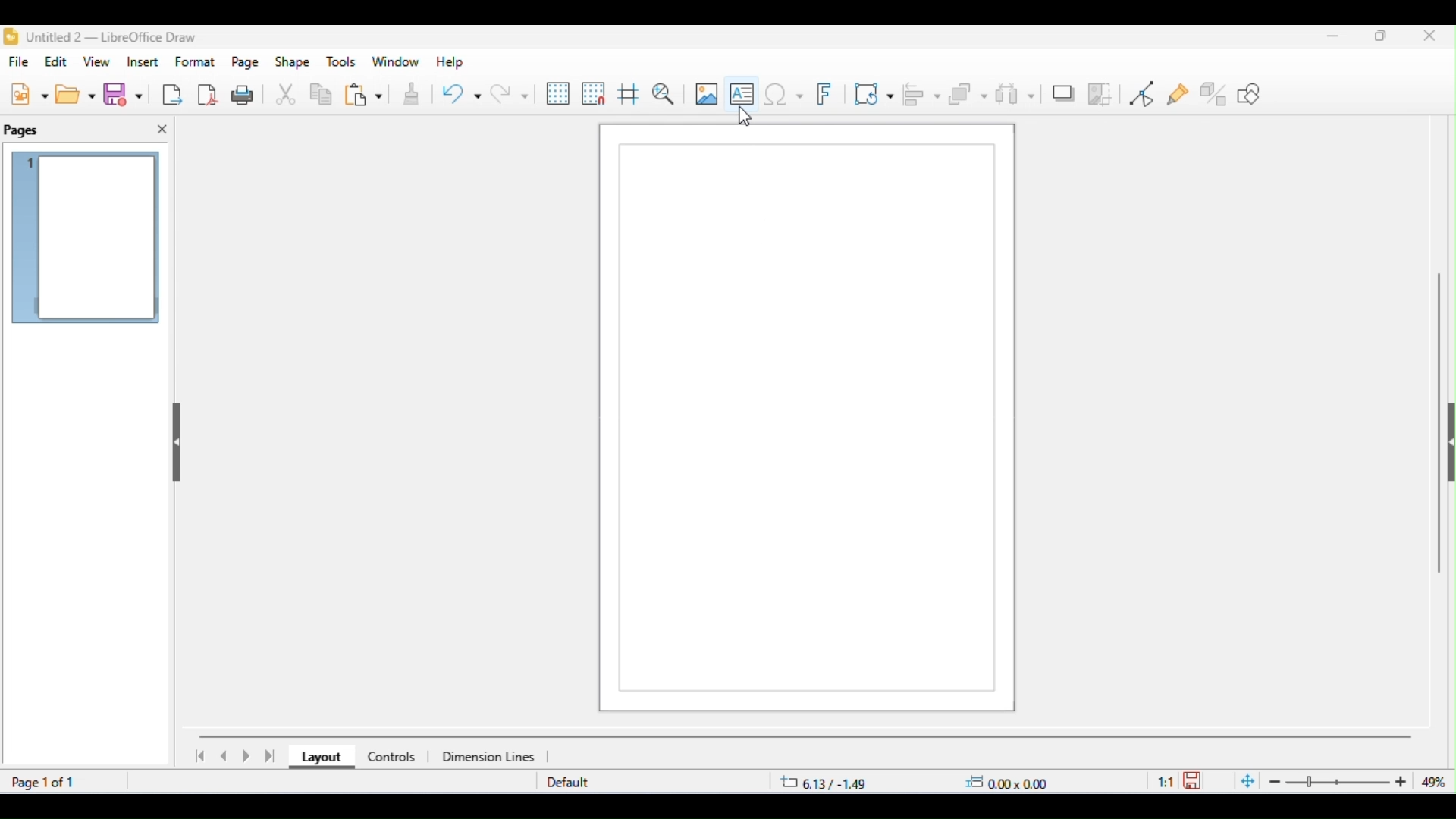 The image size is (1456, 819). What do you see at coordinates (806, 736) in the screenshot?
I see `horizontal scroll bar` at bounding box center [806, 736].